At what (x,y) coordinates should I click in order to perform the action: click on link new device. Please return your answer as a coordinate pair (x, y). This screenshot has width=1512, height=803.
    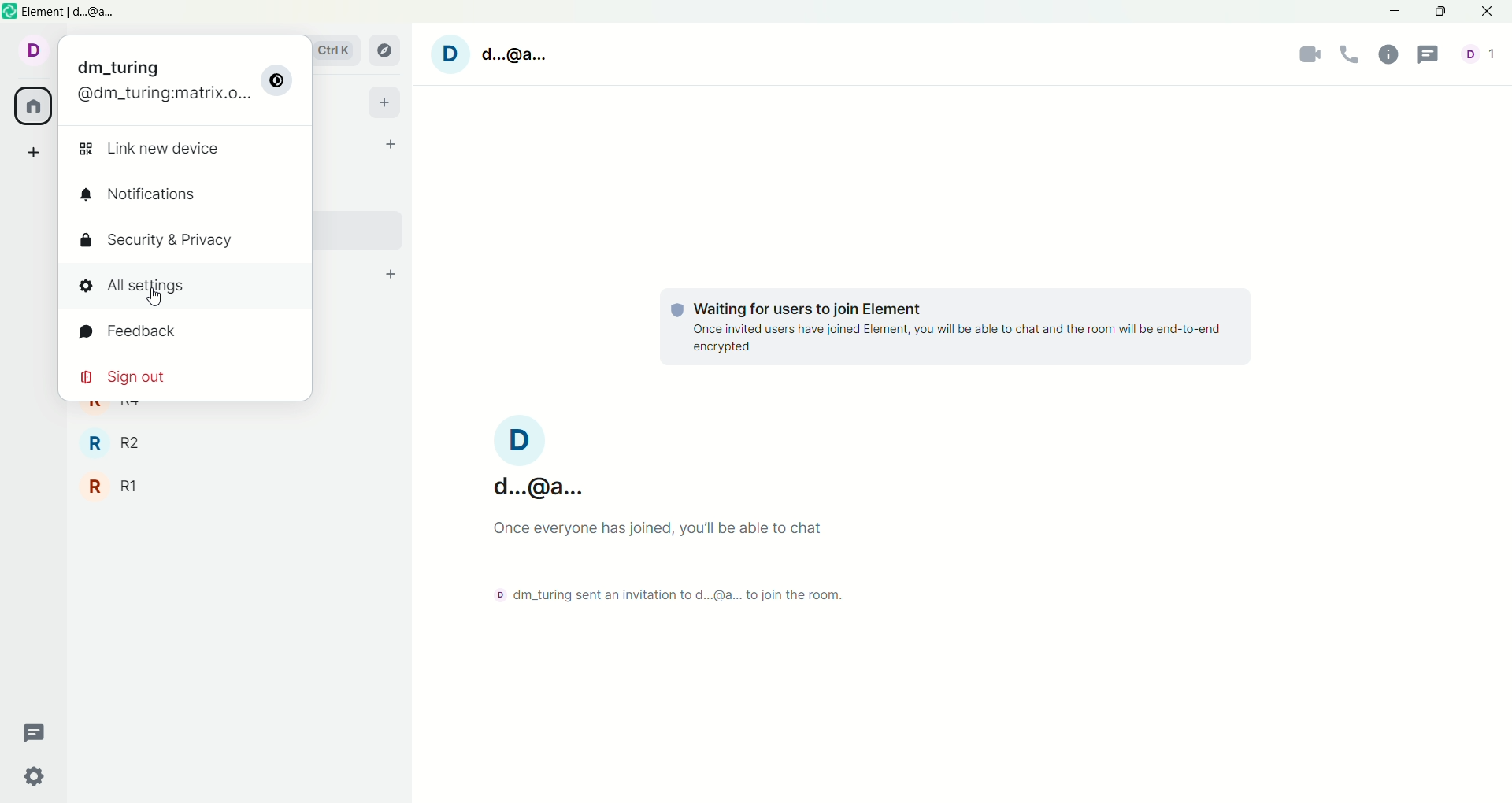
    Looking at the image, I should click on (152, 148).